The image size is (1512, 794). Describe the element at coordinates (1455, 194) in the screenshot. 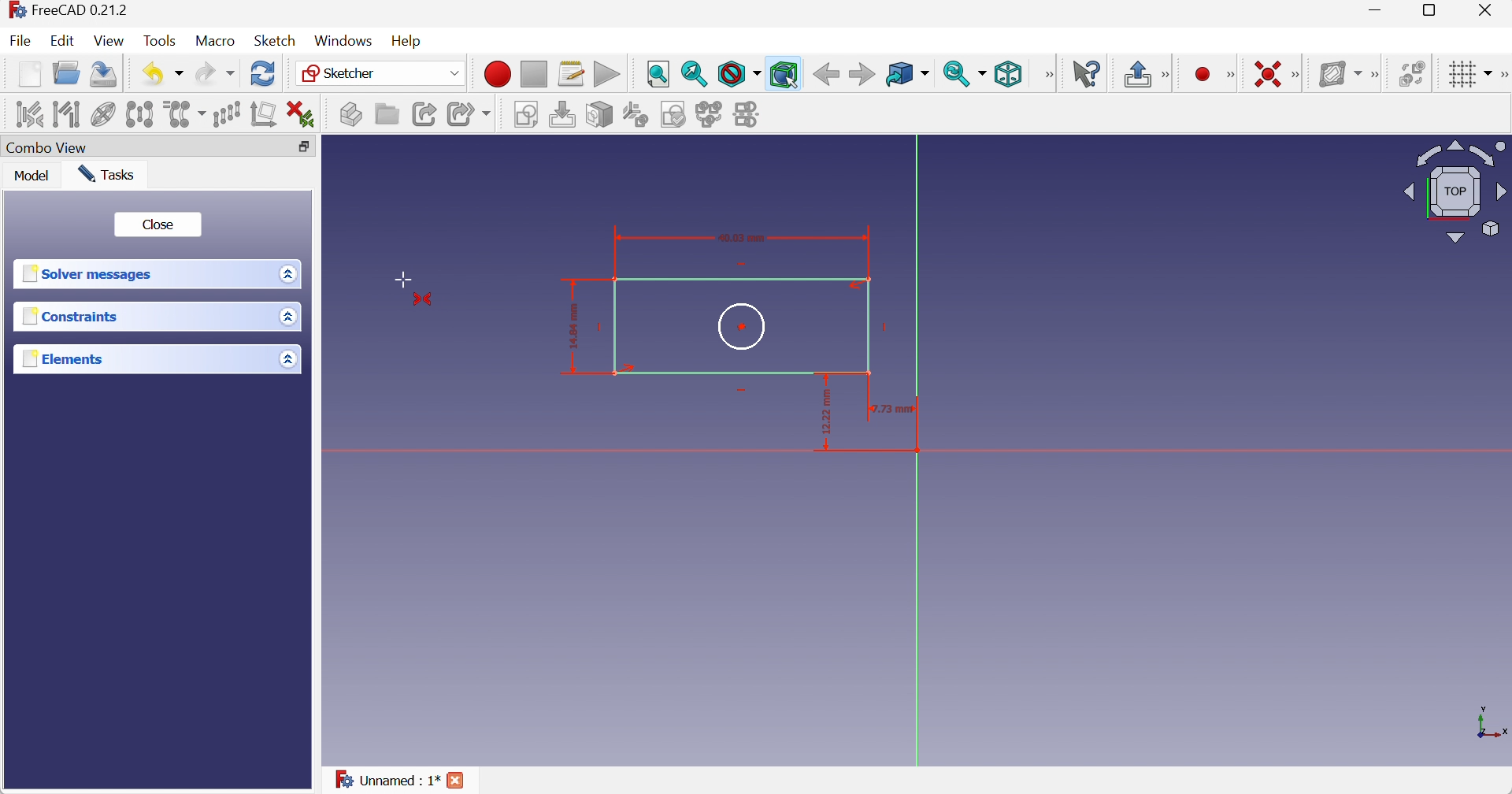

I see `Viewing angle` at that location.